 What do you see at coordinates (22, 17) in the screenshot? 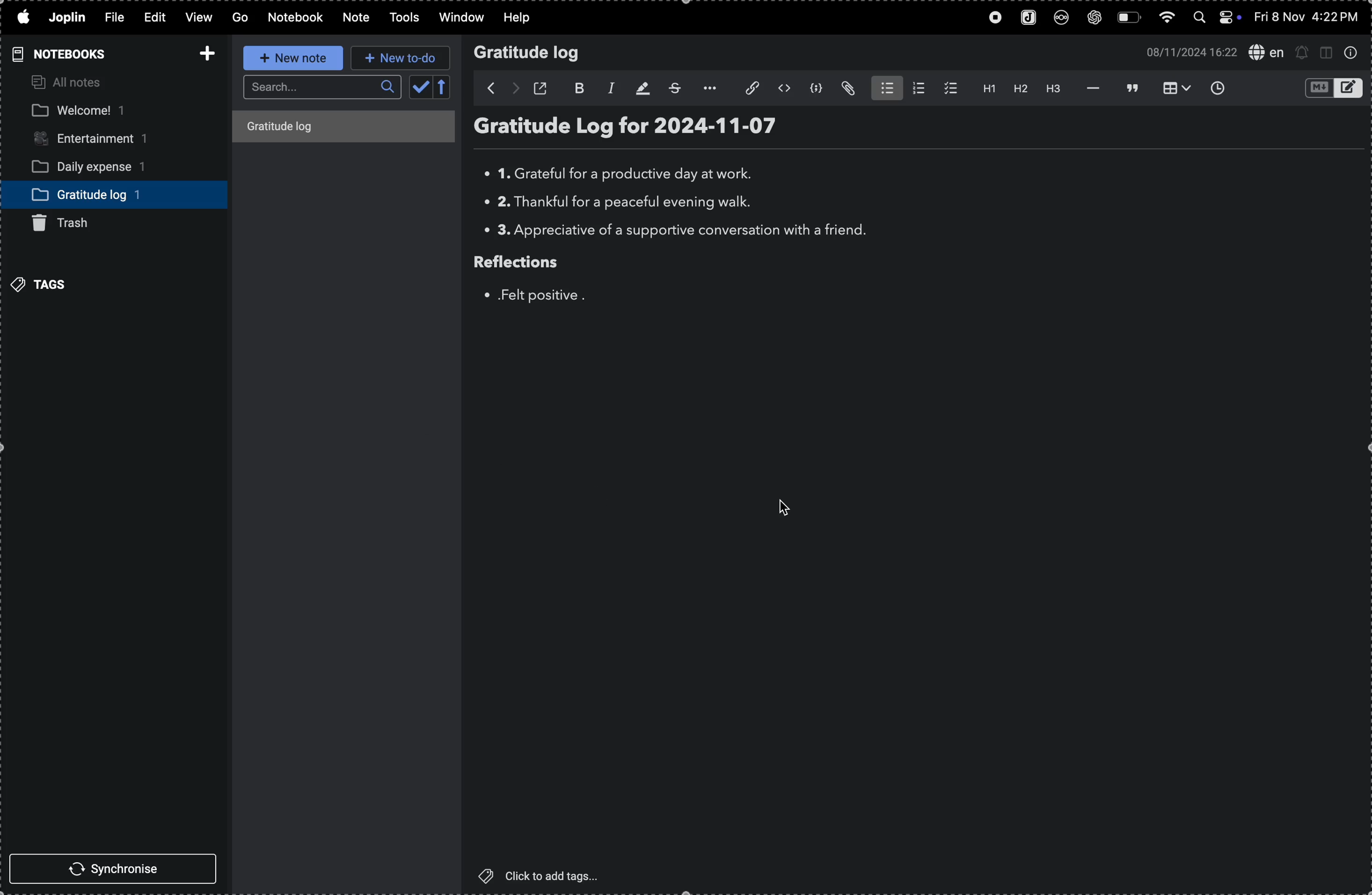
I see `apple menu` at bounding box center [22, 17].